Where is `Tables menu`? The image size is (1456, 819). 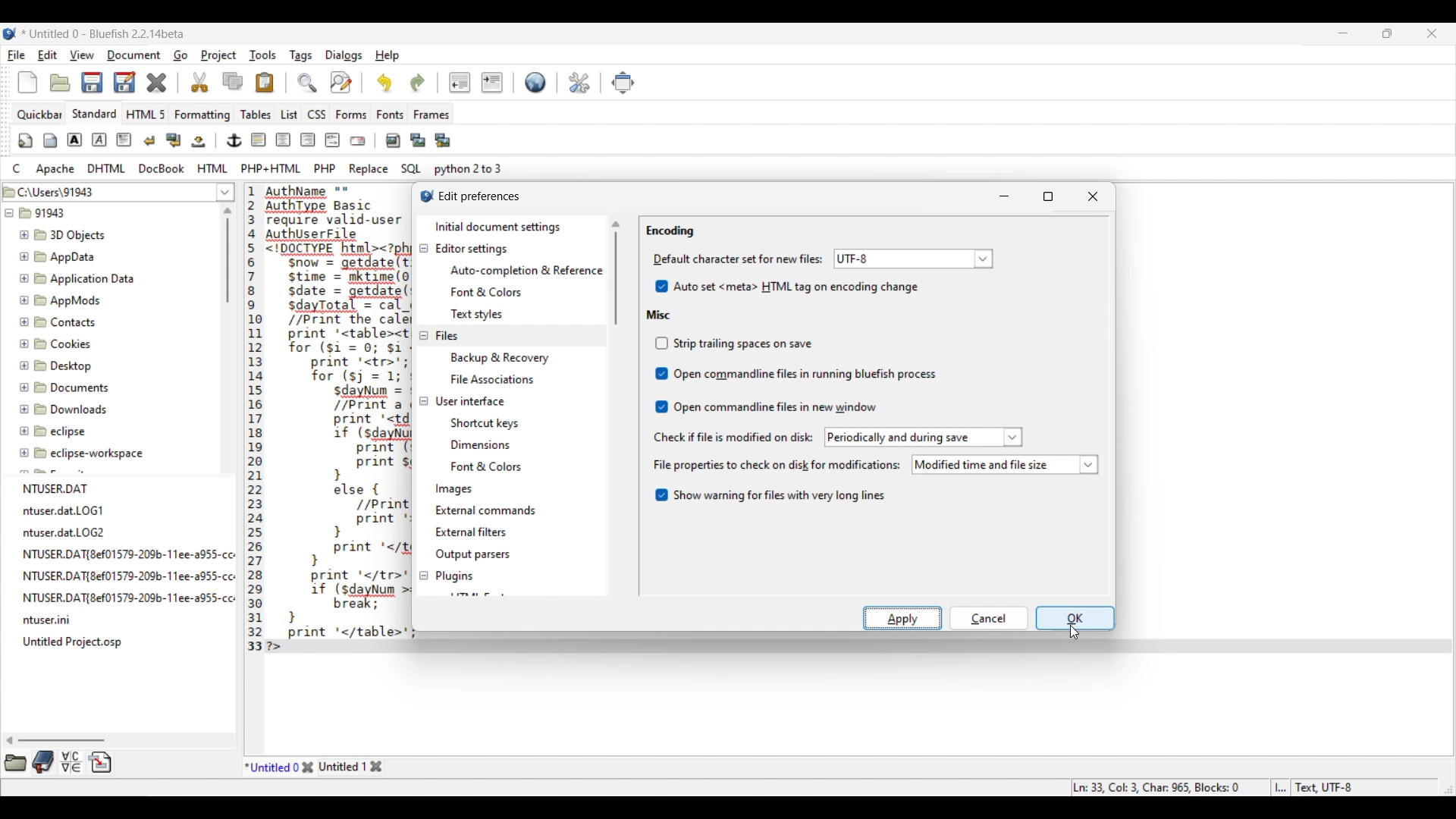
Tables menu is located at coordinates (256, 115).